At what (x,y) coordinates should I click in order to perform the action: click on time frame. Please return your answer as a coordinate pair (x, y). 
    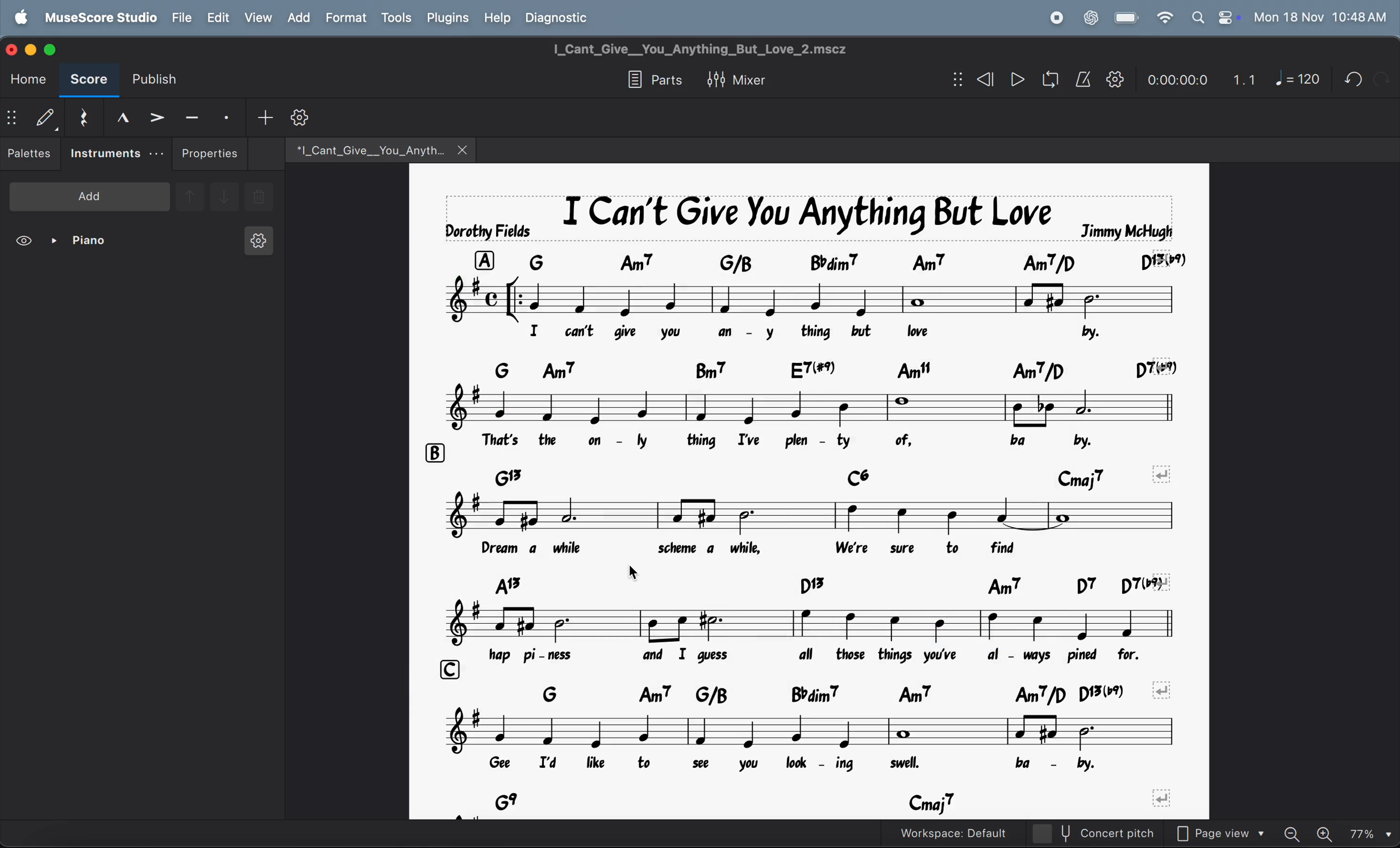
    Looking at the image, I should click on (1174, 77).